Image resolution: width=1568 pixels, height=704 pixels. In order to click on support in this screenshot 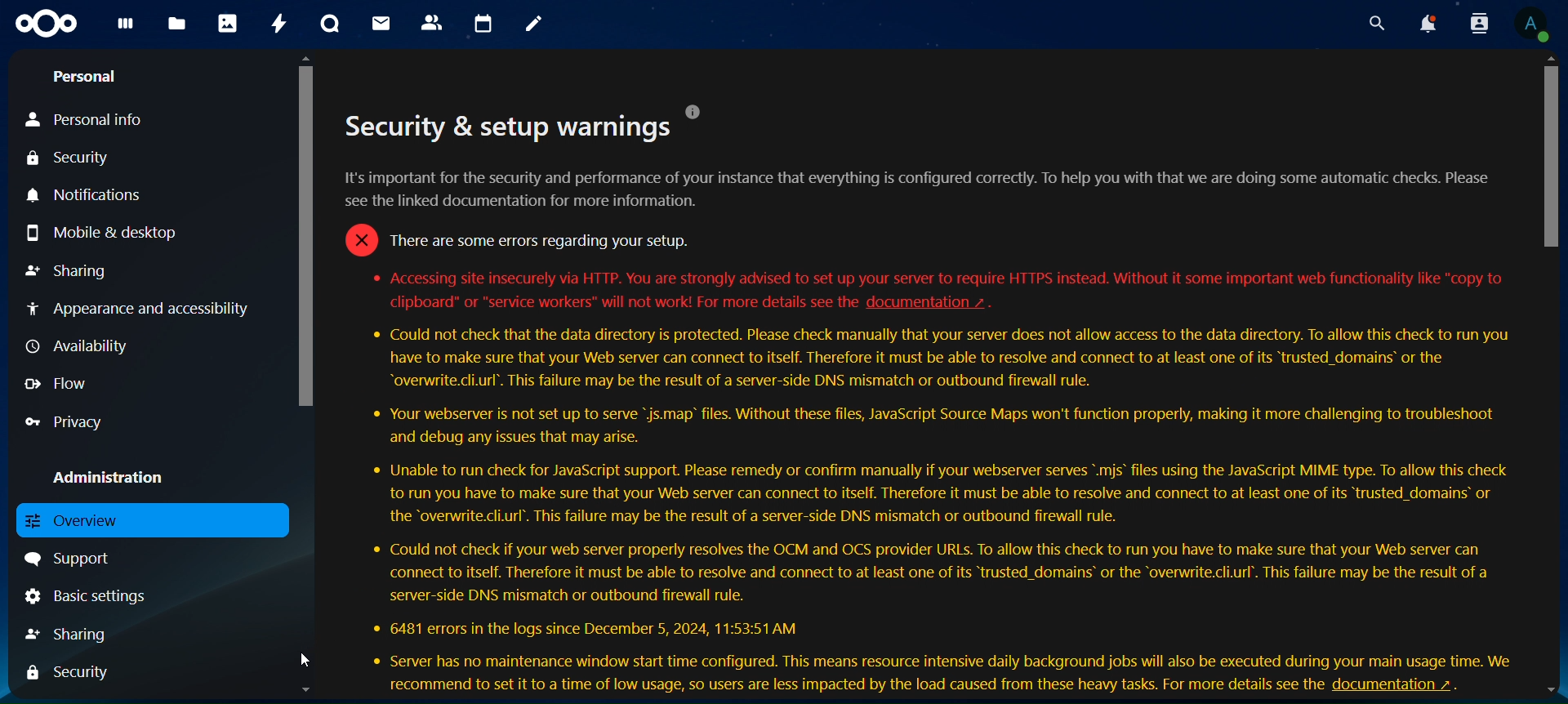, I will do `click(80, 561)`.